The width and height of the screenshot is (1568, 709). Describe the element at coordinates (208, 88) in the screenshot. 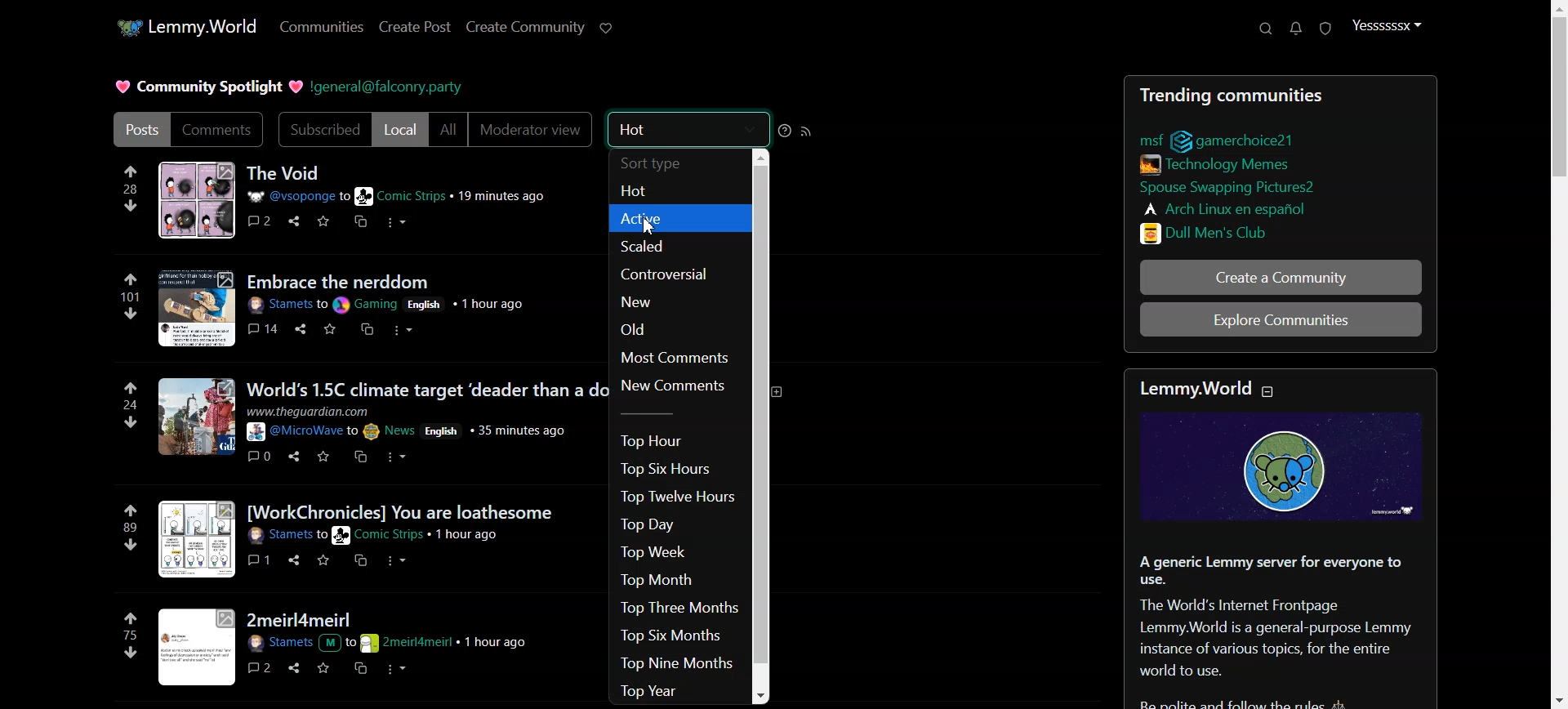

I see `Text` at that location.